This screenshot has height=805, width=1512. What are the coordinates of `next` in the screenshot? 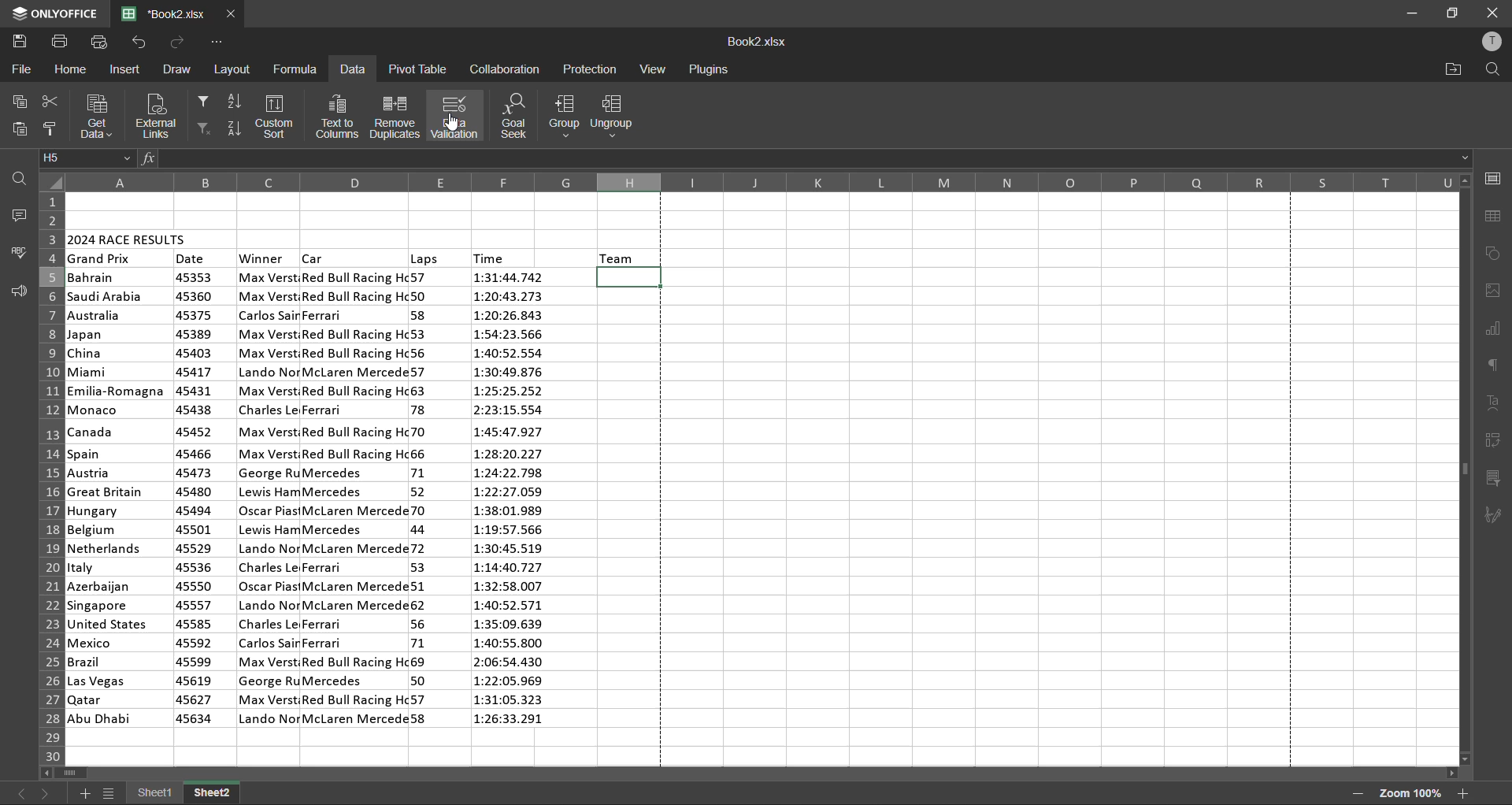 It's located at (46, 791).